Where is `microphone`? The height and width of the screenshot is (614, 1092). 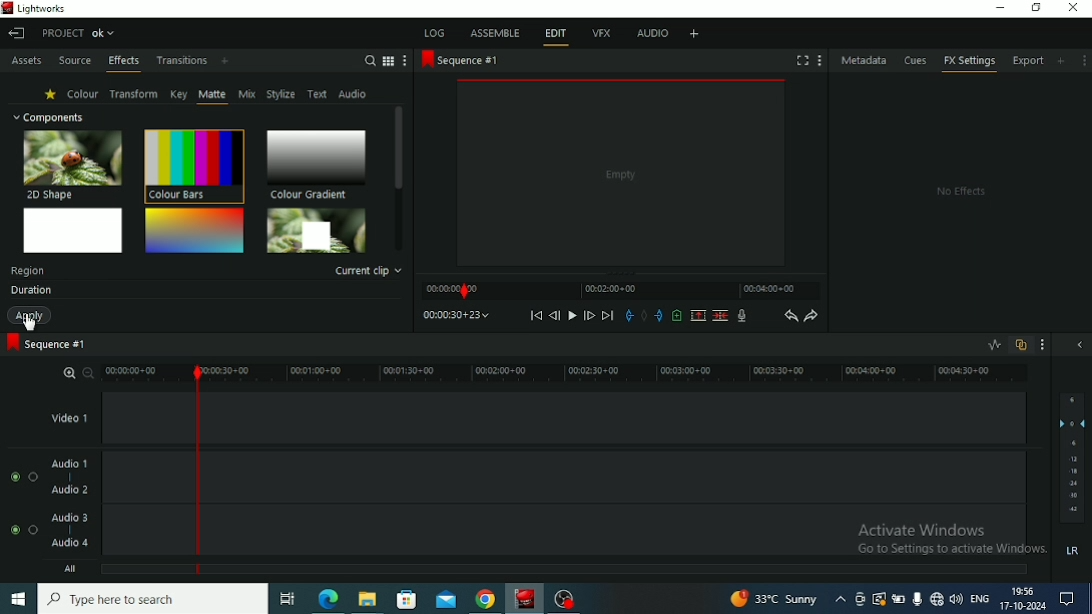 microphone is located at coordinates (918, 597).